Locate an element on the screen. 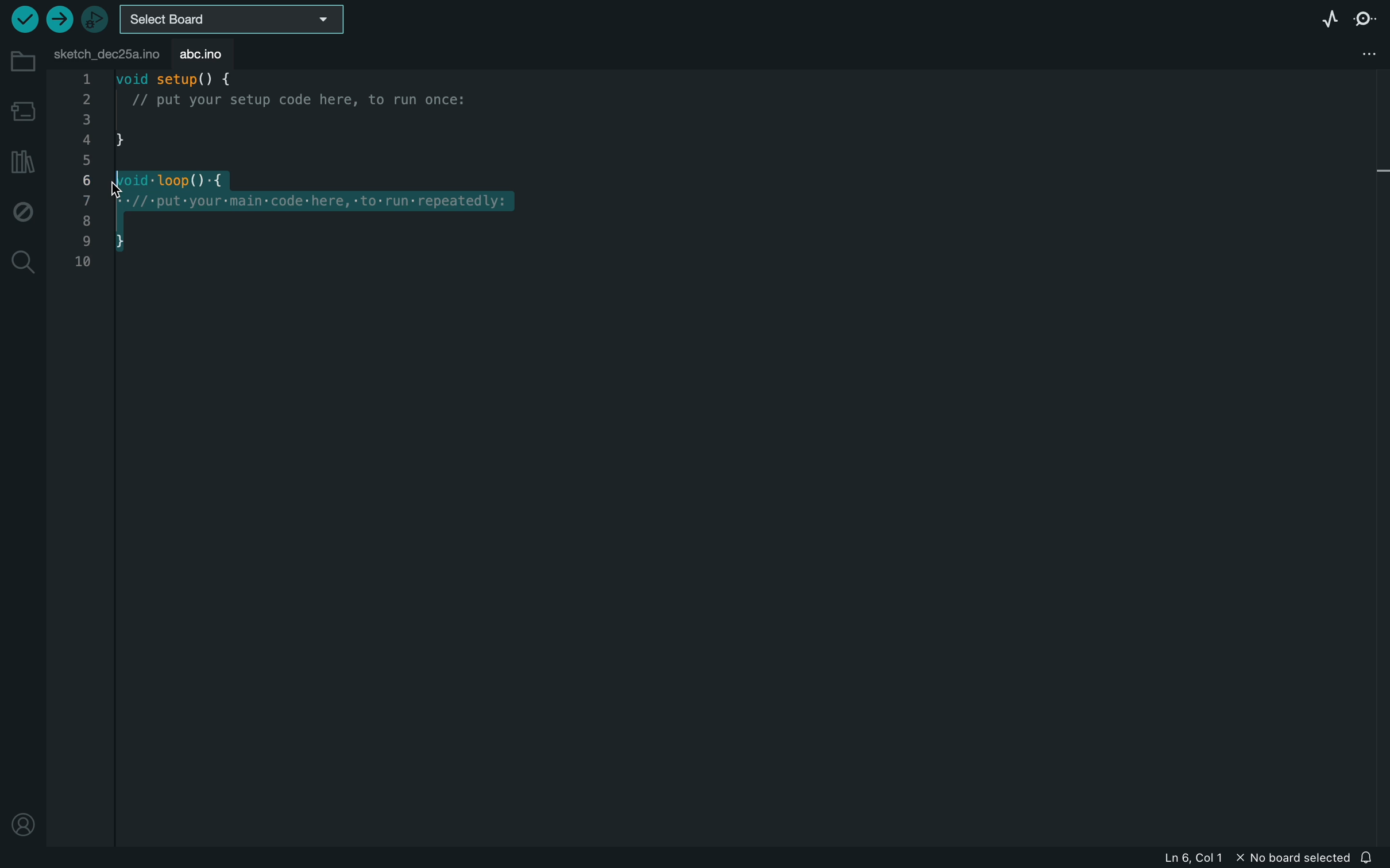  file  information is located at coordinates (1244, 858).